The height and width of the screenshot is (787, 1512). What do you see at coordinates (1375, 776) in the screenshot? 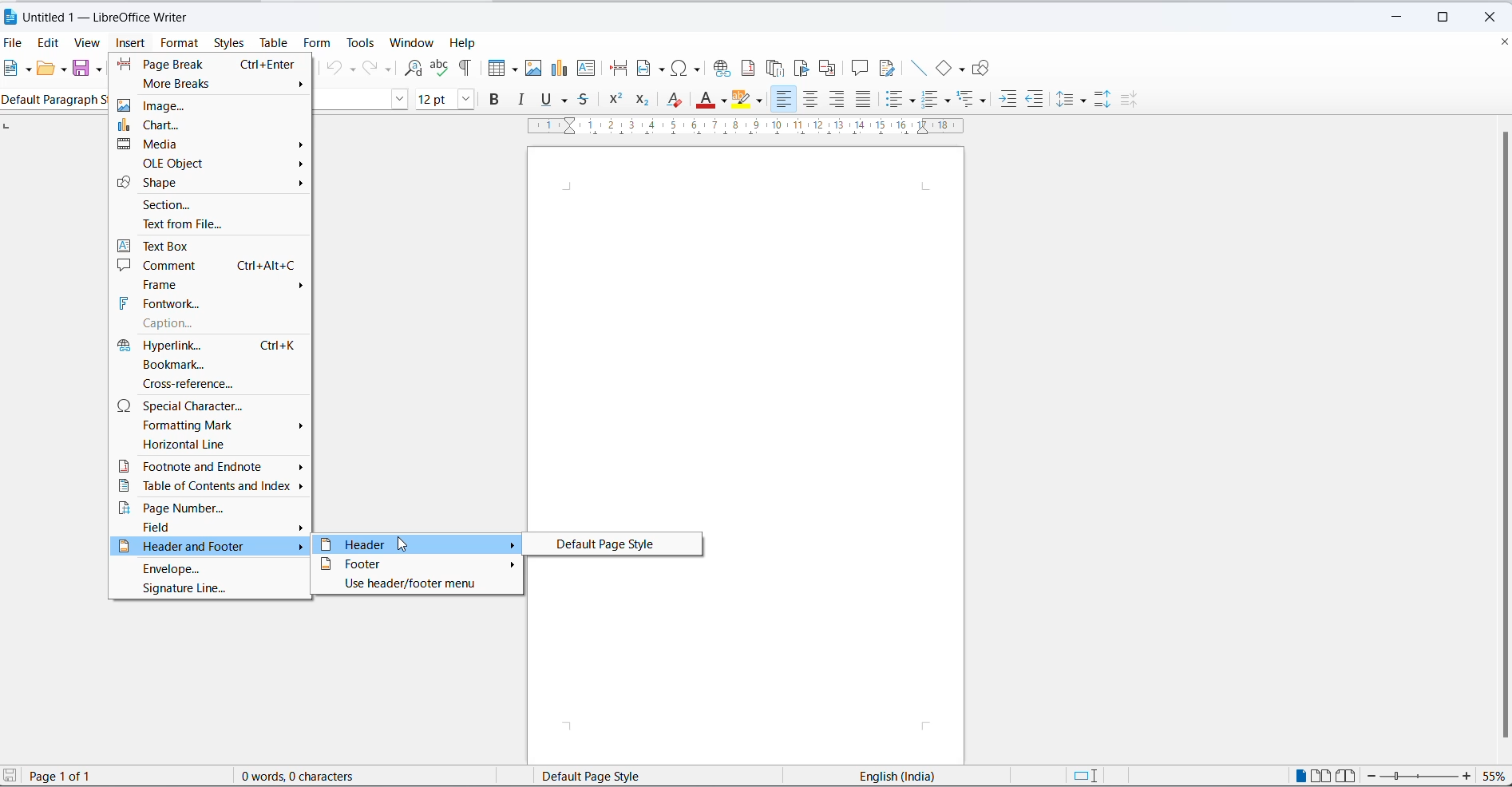
I see `decrease zoom` at bounding box center [1375, 776].